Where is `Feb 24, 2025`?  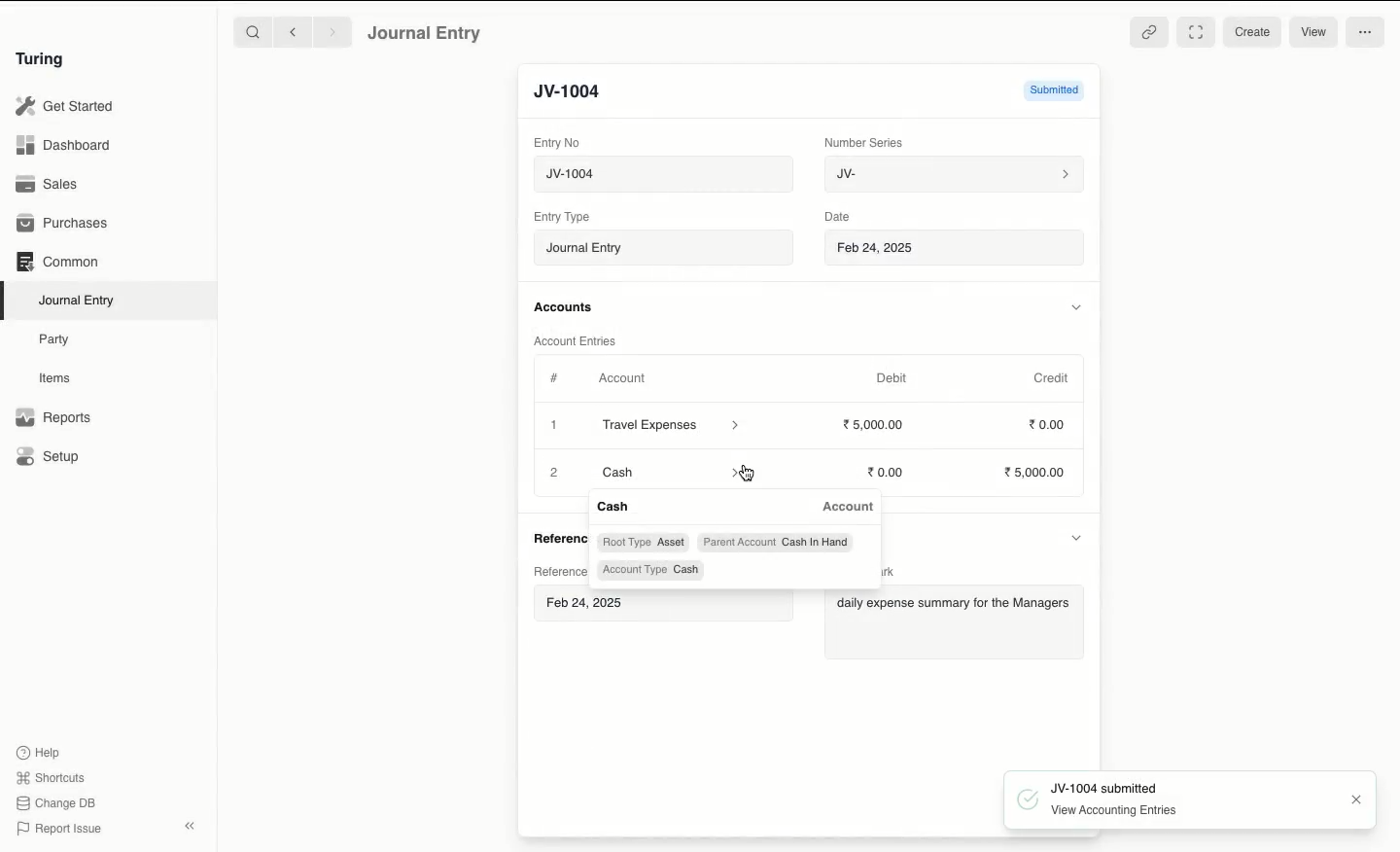 Feb 24, 2025 is located at coordinates (588, 602).